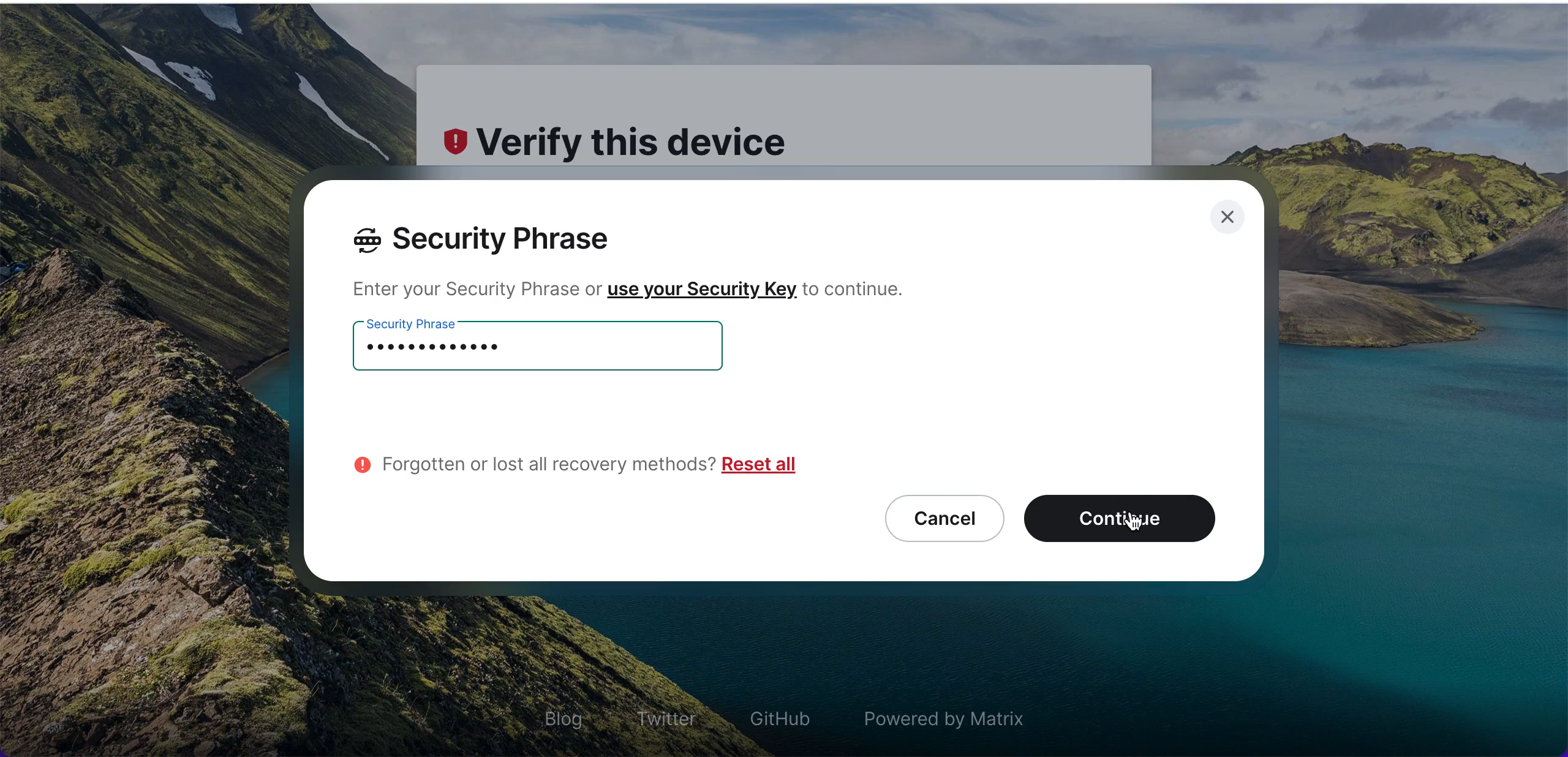 The width and height of the screenshot is (1568, 757). I want to click on continue, so click(1127, 518).